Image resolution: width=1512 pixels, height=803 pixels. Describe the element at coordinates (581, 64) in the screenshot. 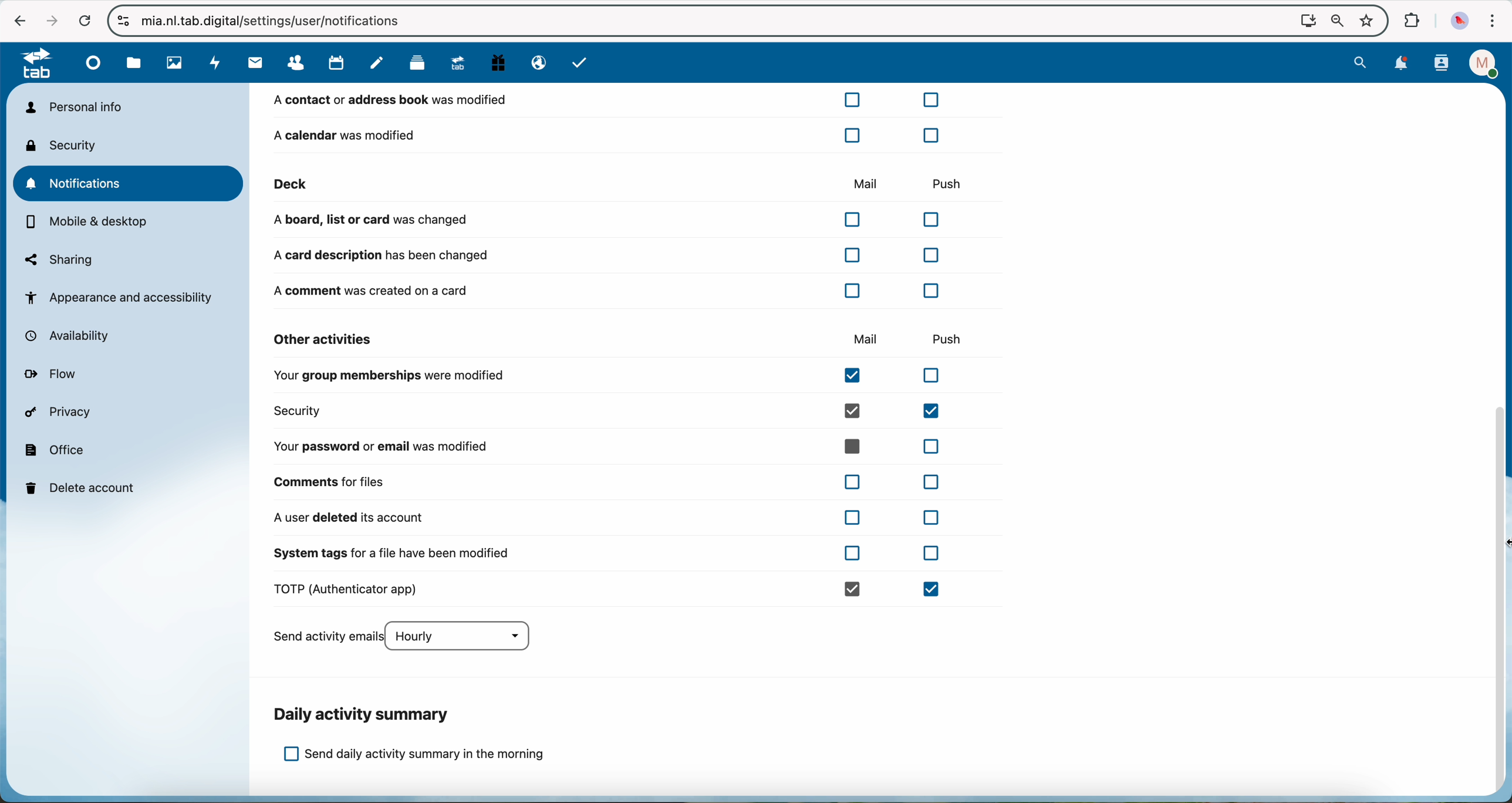

I see `task` at that location.